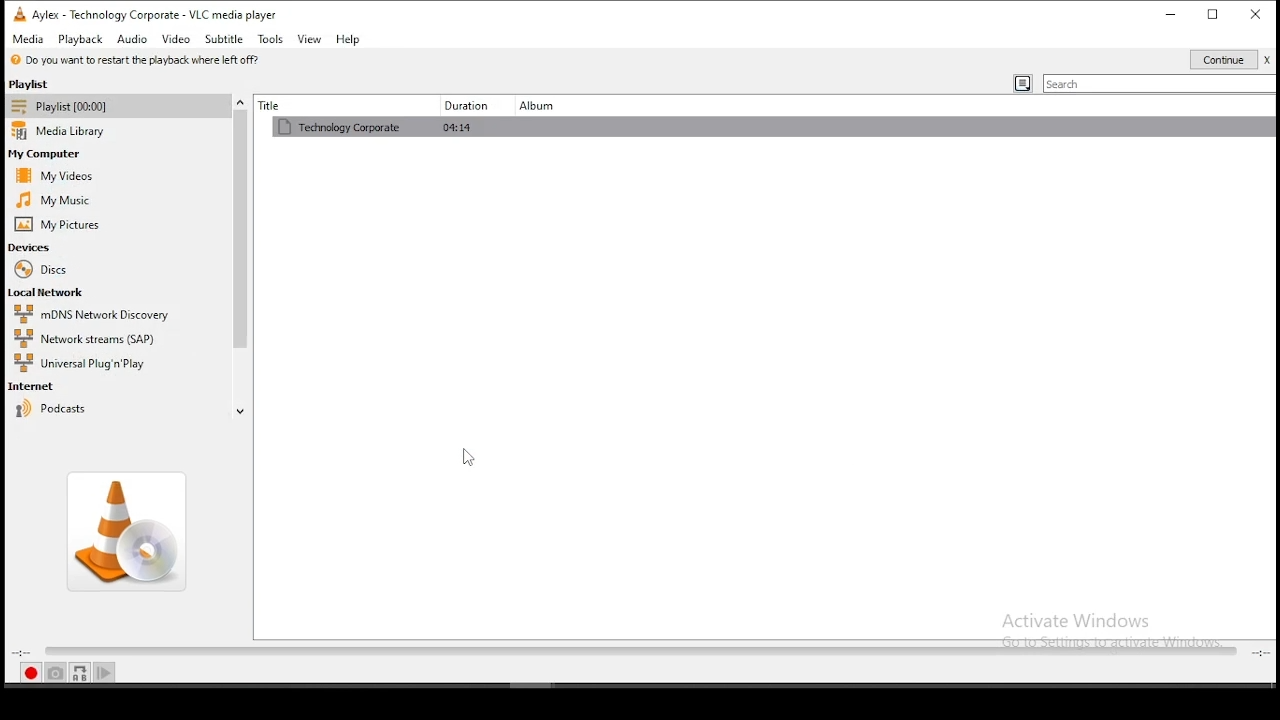 The image size is (1280, 720). I want to click on devices, so click(28, 247).